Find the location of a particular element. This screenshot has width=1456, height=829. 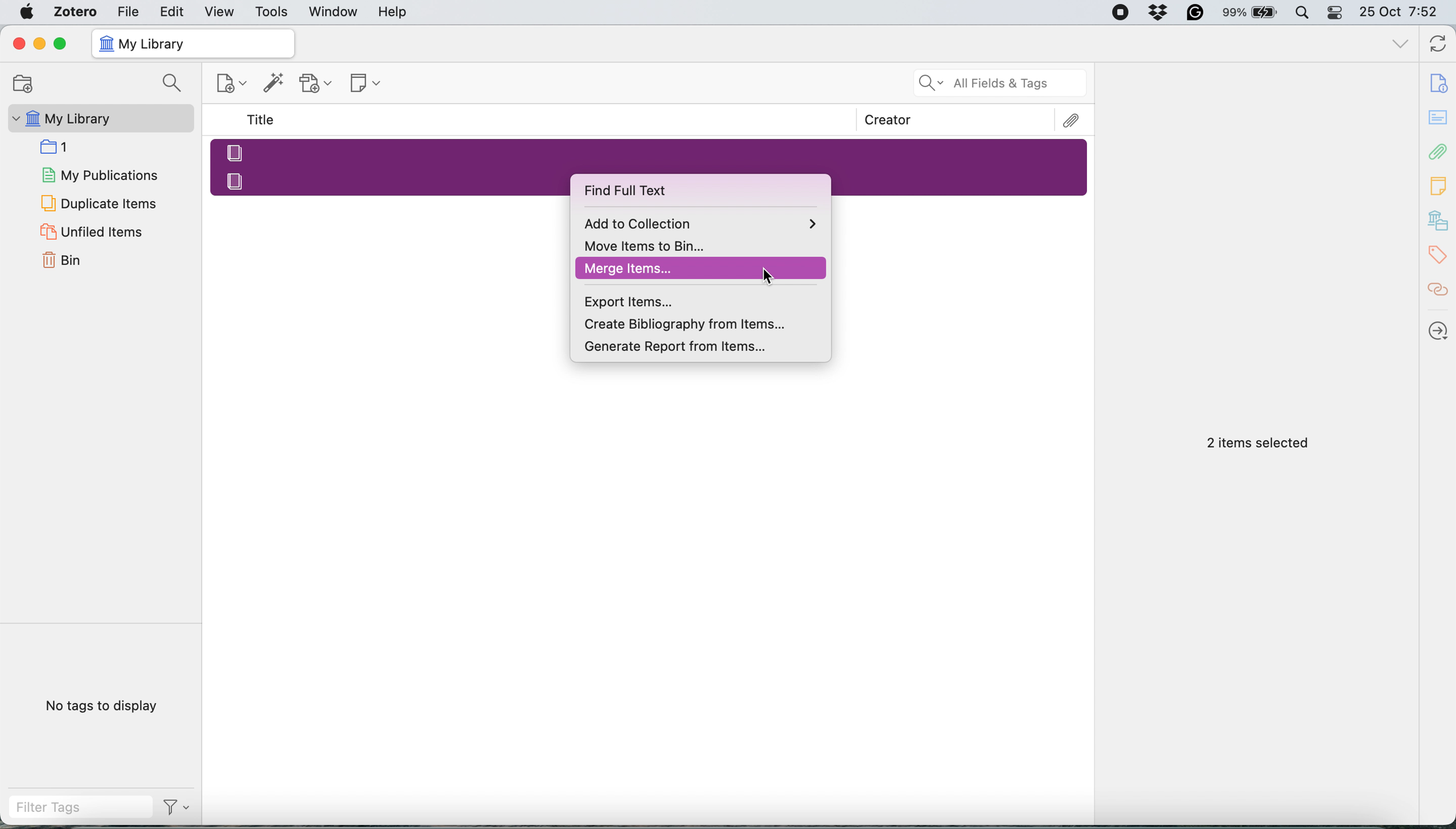

Create Bibliography from Items... is located at coordinates (703, 325).